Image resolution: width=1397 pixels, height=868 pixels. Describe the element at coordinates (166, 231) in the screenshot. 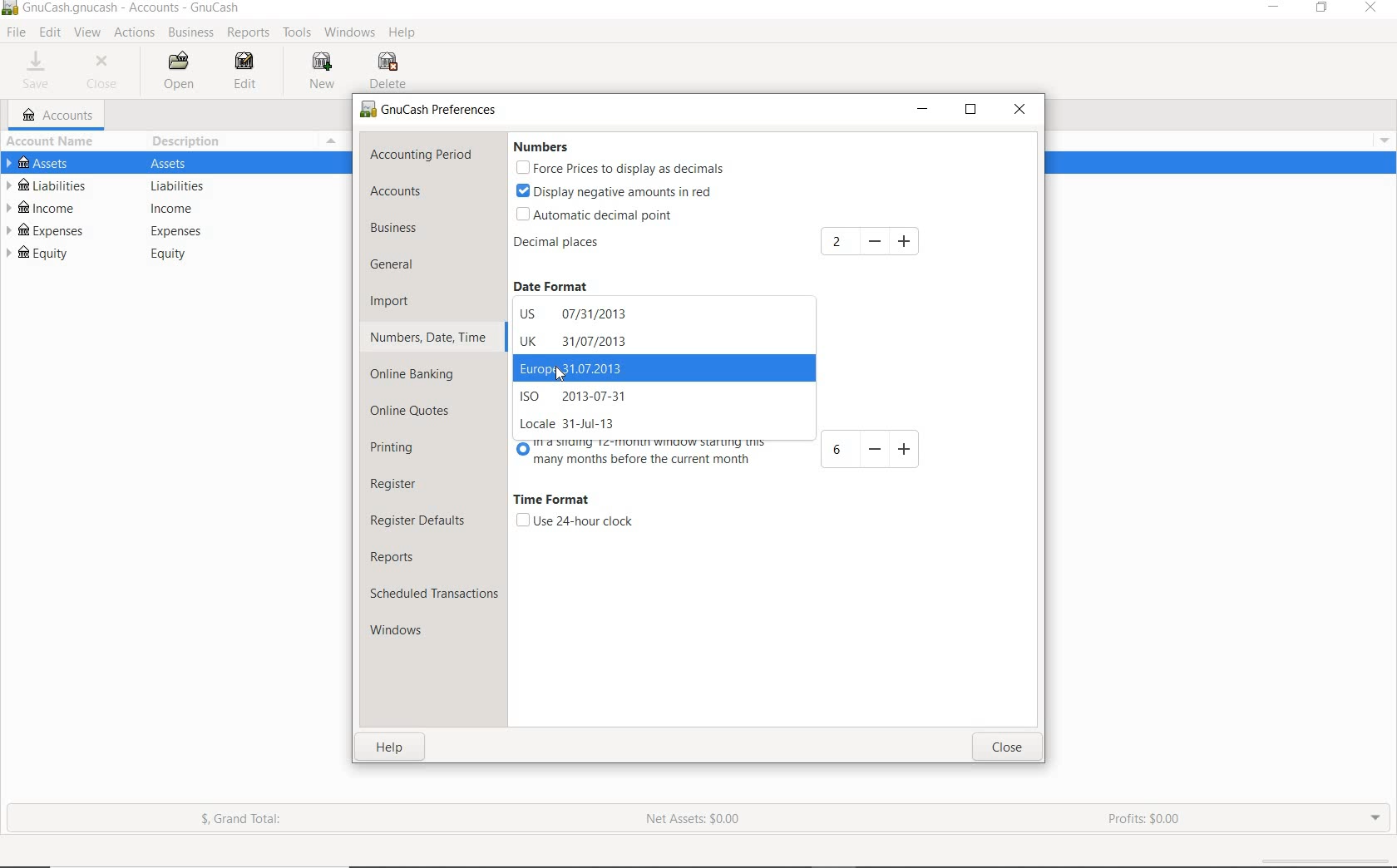

I see `EXPENSES` at that location.